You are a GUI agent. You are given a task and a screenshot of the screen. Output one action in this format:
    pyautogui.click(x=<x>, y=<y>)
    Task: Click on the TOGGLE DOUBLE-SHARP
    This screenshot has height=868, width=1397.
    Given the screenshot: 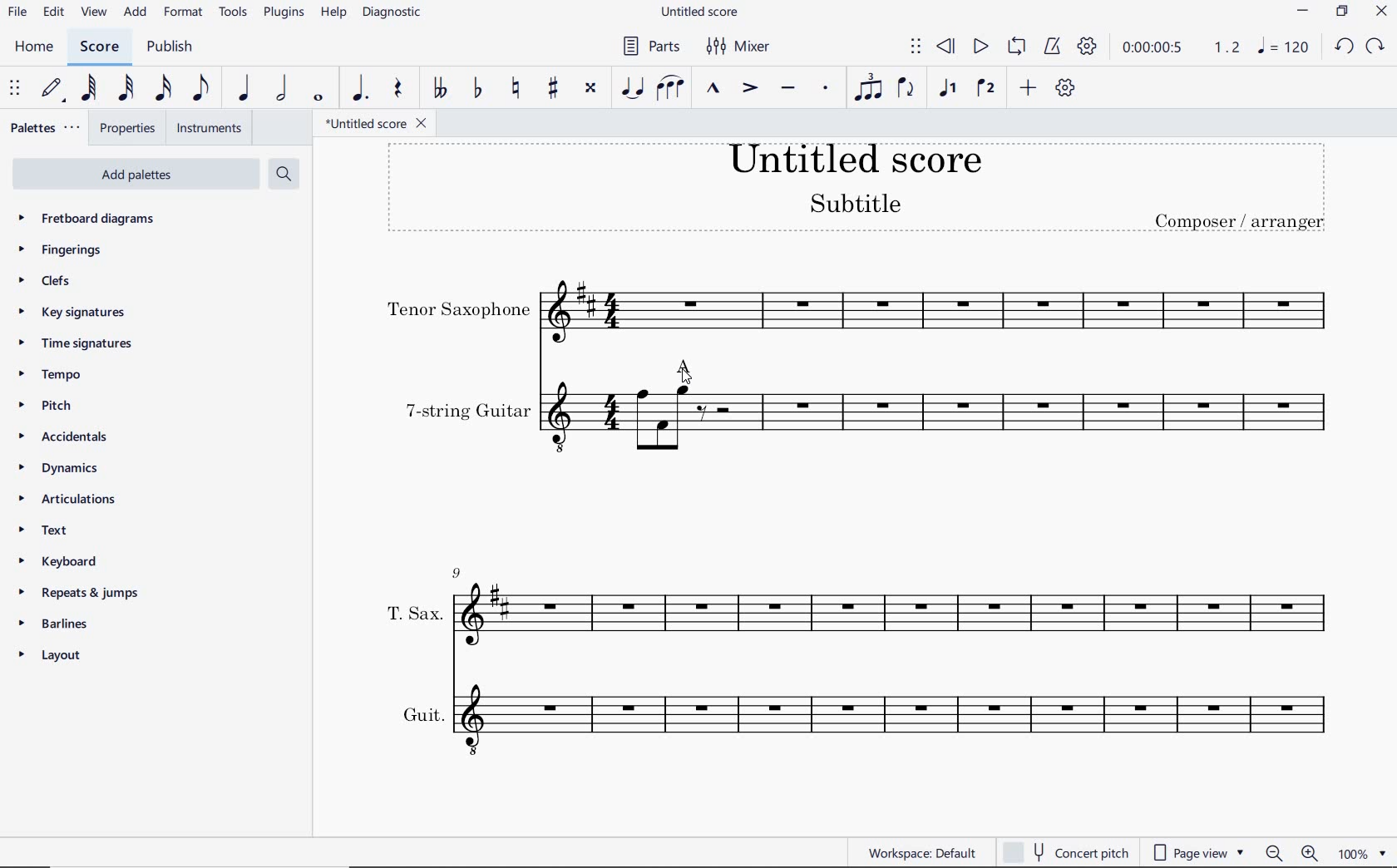 What is the action you would take?
    pyautogui.click(x=590, y=87)
    